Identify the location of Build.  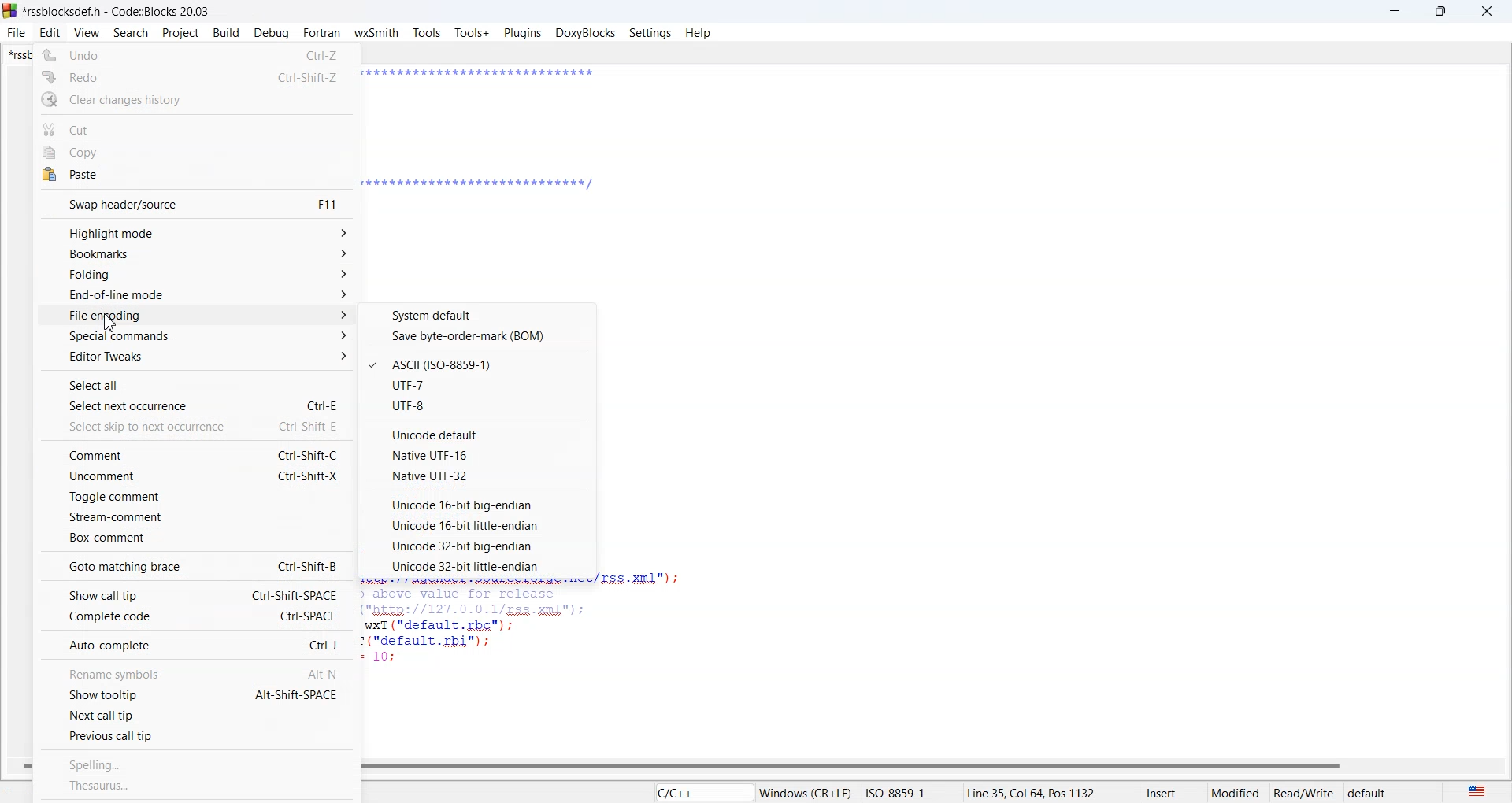
(227, 32).